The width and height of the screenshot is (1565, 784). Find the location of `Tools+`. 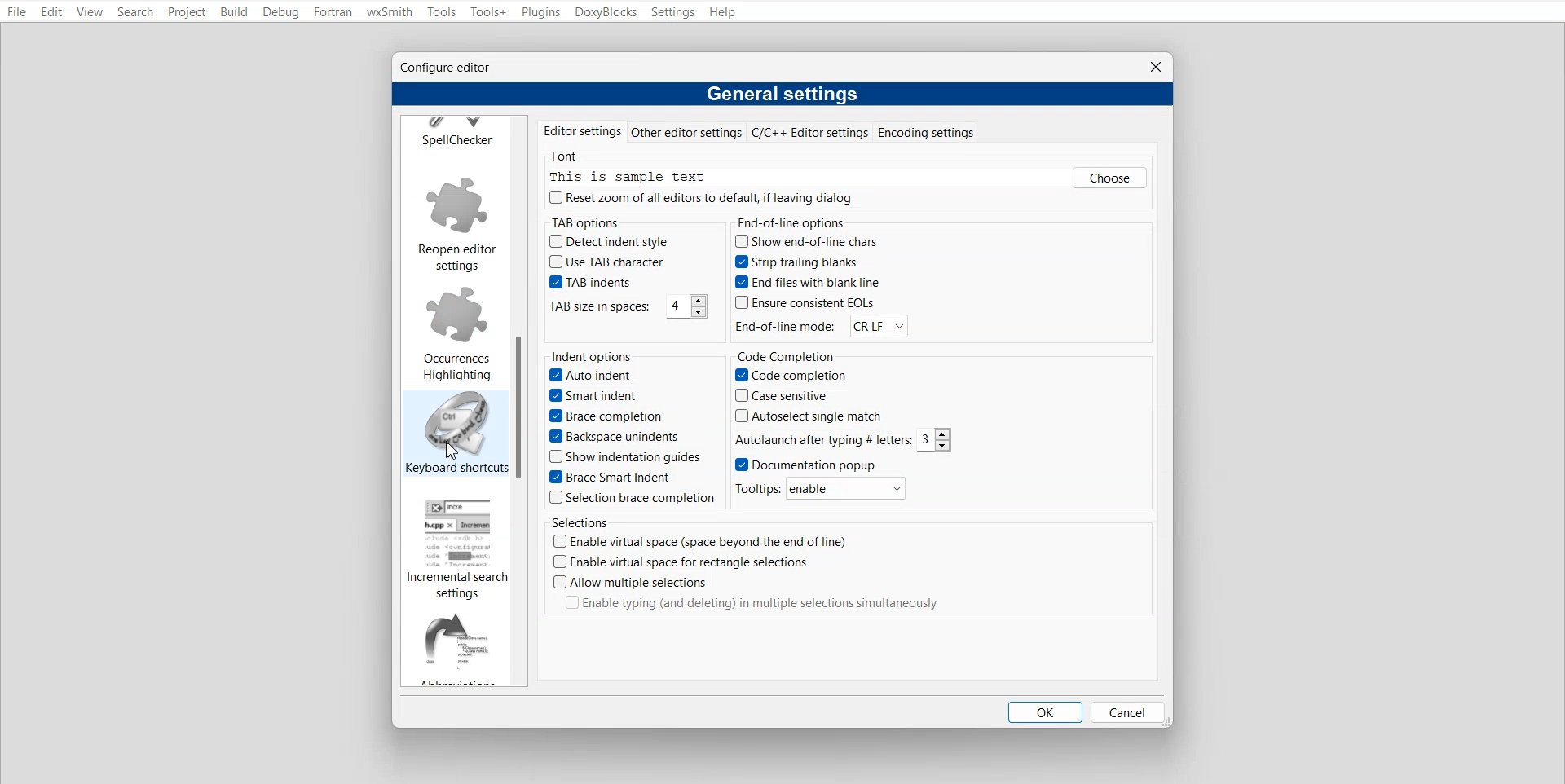

Tools+ is located at coordinates (487, 12).